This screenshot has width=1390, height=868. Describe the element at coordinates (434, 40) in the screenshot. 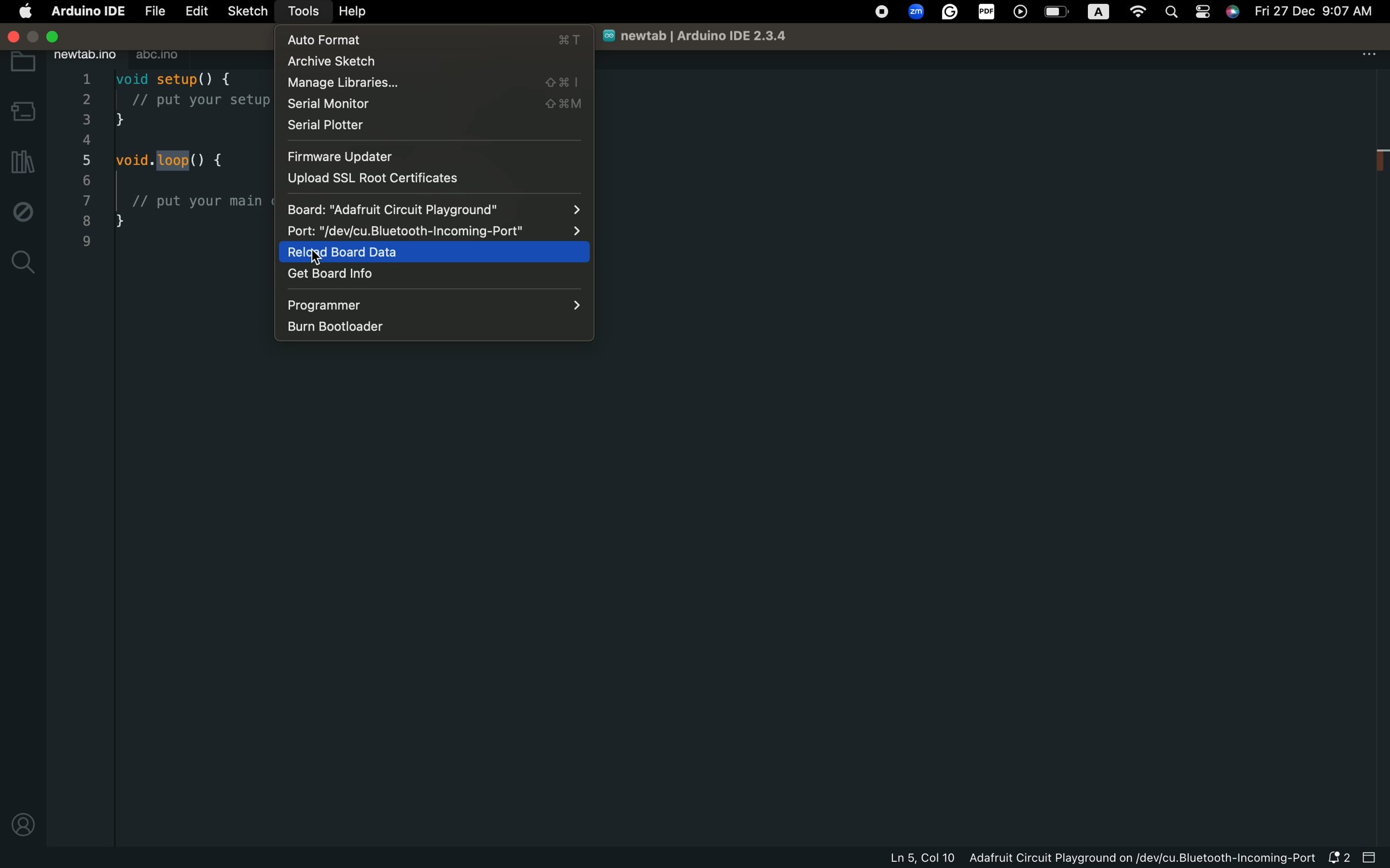

I see `auto format` at that location.